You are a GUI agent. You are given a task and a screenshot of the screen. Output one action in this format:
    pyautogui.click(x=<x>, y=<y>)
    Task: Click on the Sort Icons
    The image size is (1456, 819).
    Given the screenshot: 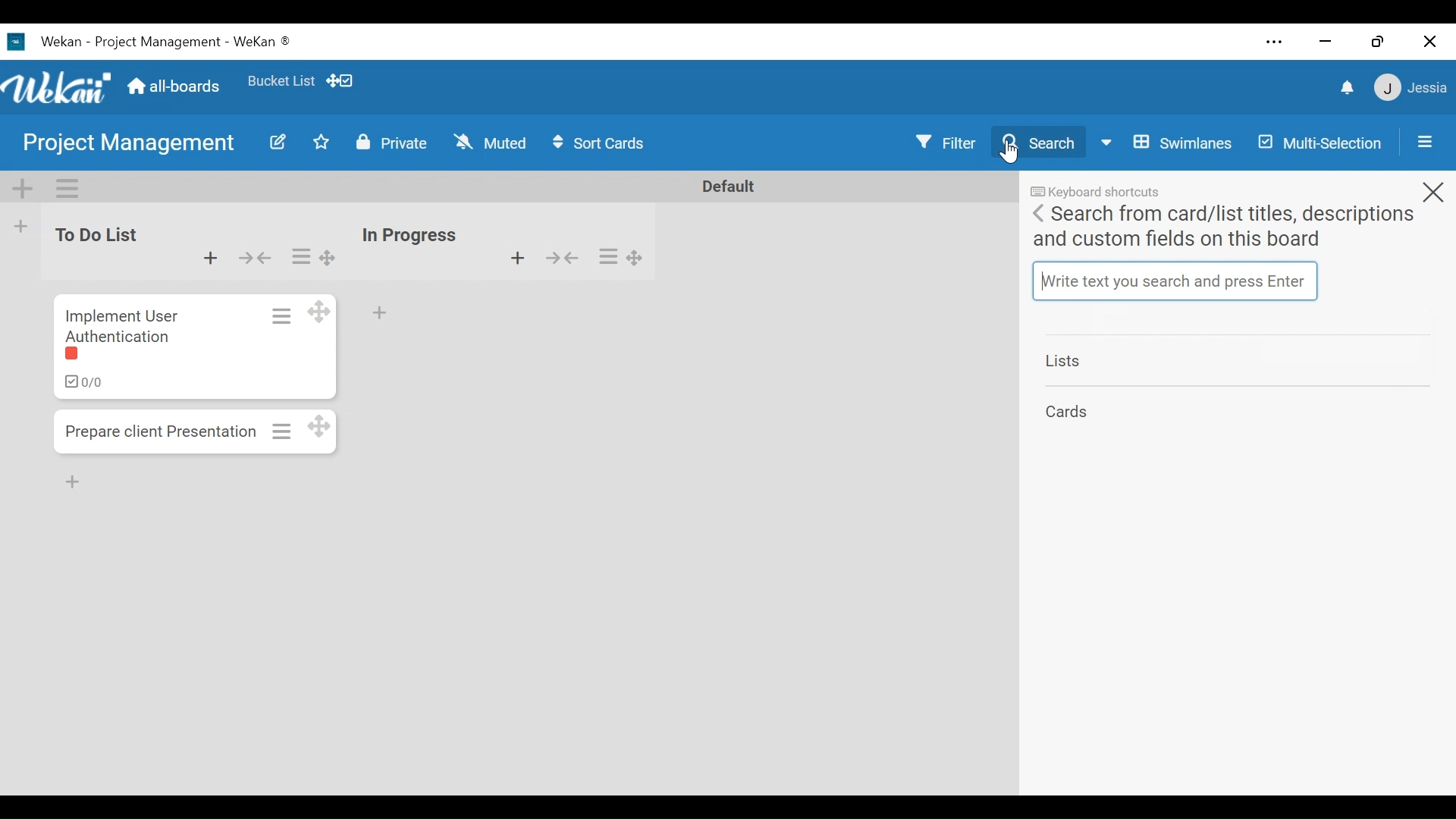 What is the action you would take?
    pyautogui.click(x=602, y=144)
    